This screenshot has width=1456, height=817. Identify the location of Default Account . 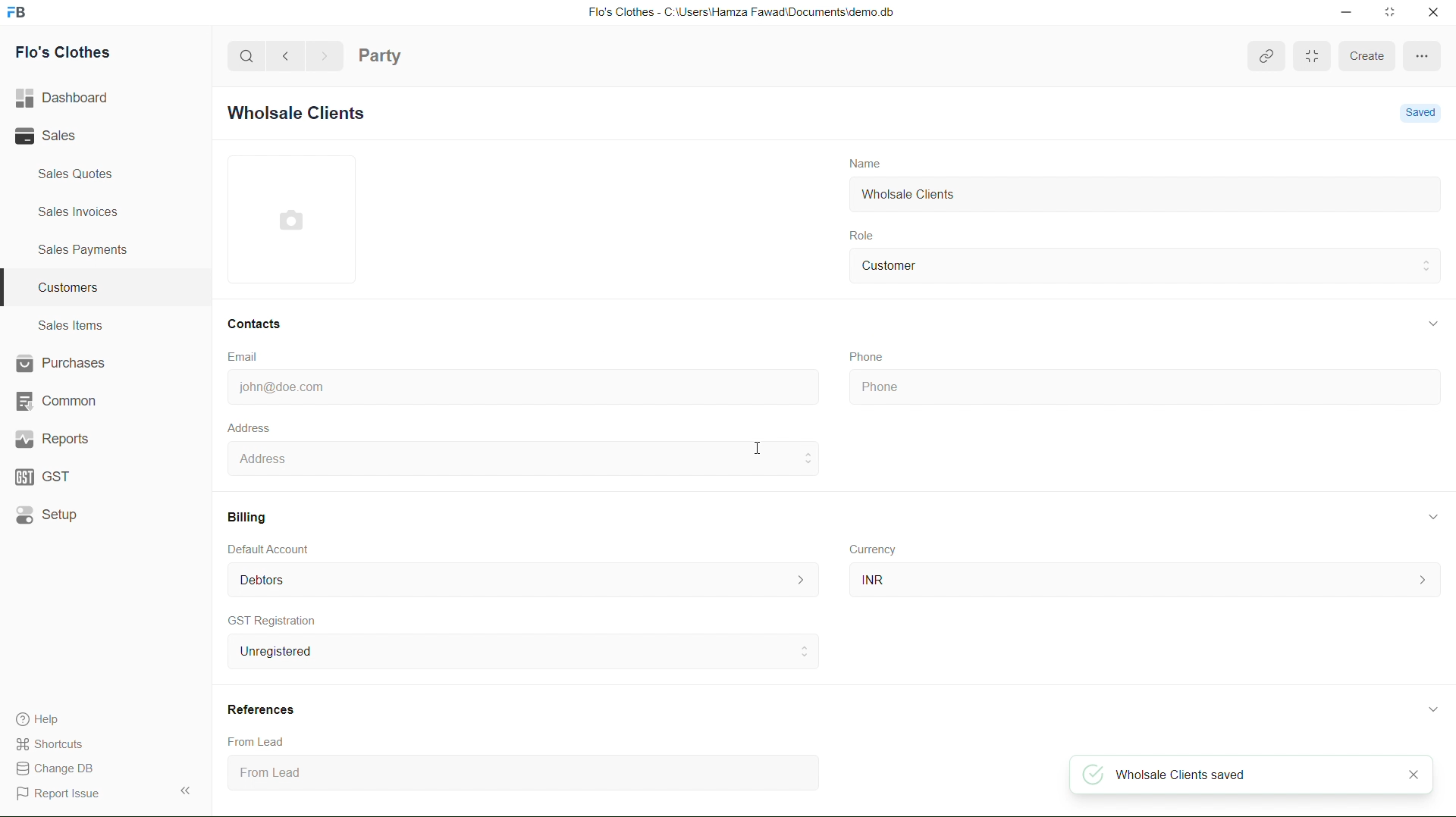
(522, 580).